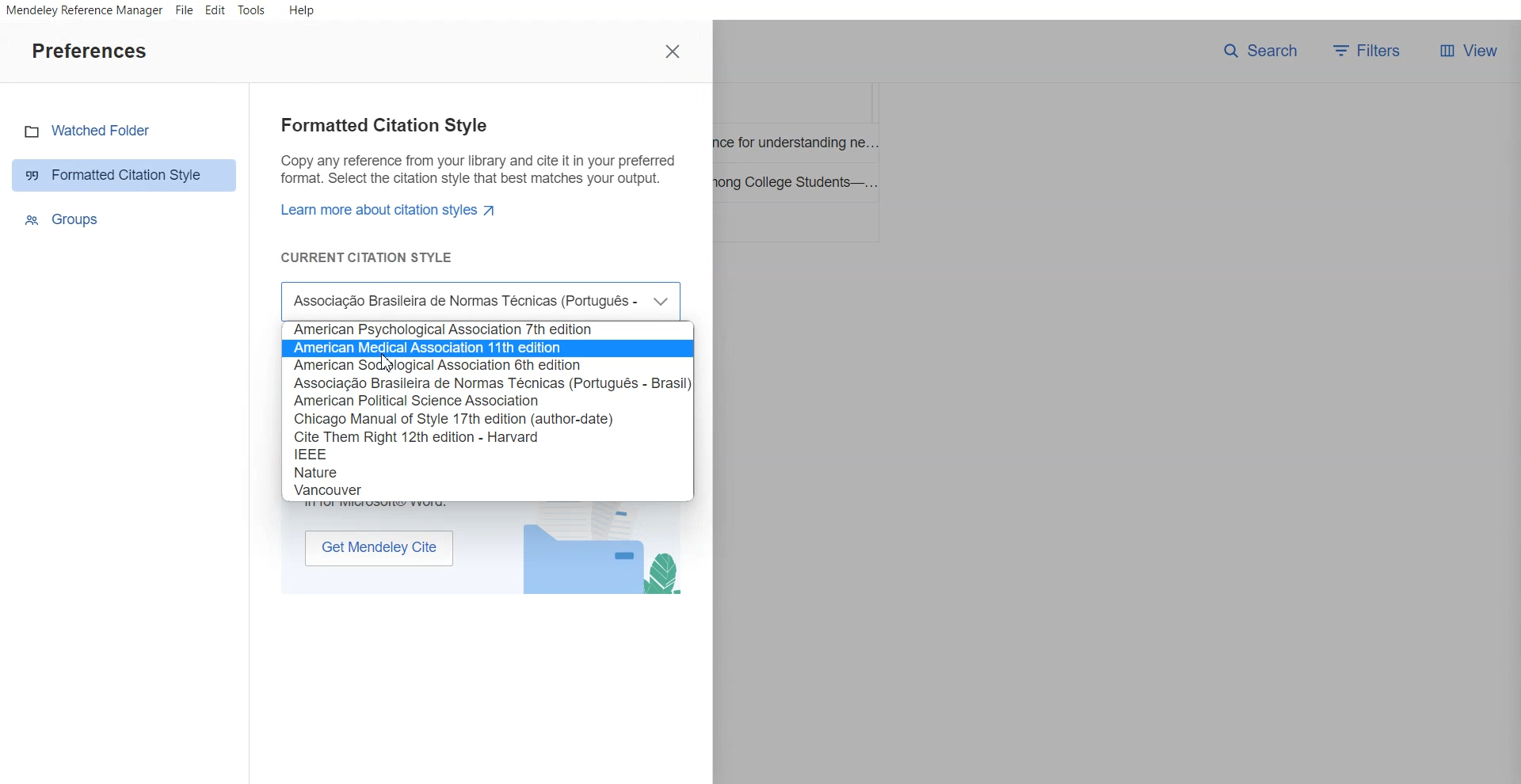 This screenshot has width=1521, height=784. I want to click on Formatted caption Style, so click(125, 174).